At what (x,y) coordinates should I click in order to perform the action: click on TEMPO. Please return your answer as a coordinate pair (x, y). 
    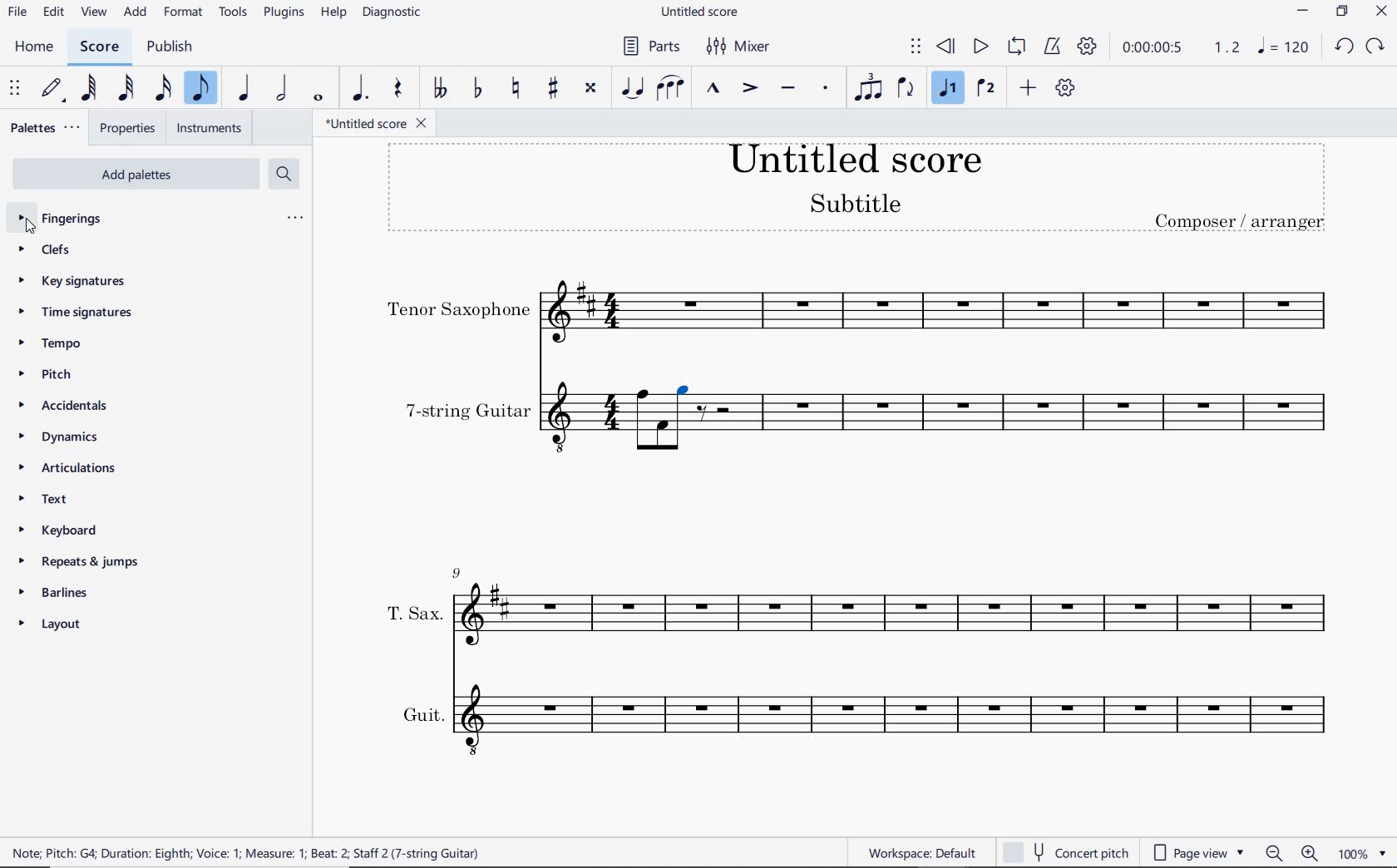
    Looking at the image, I should click on (54, 343).